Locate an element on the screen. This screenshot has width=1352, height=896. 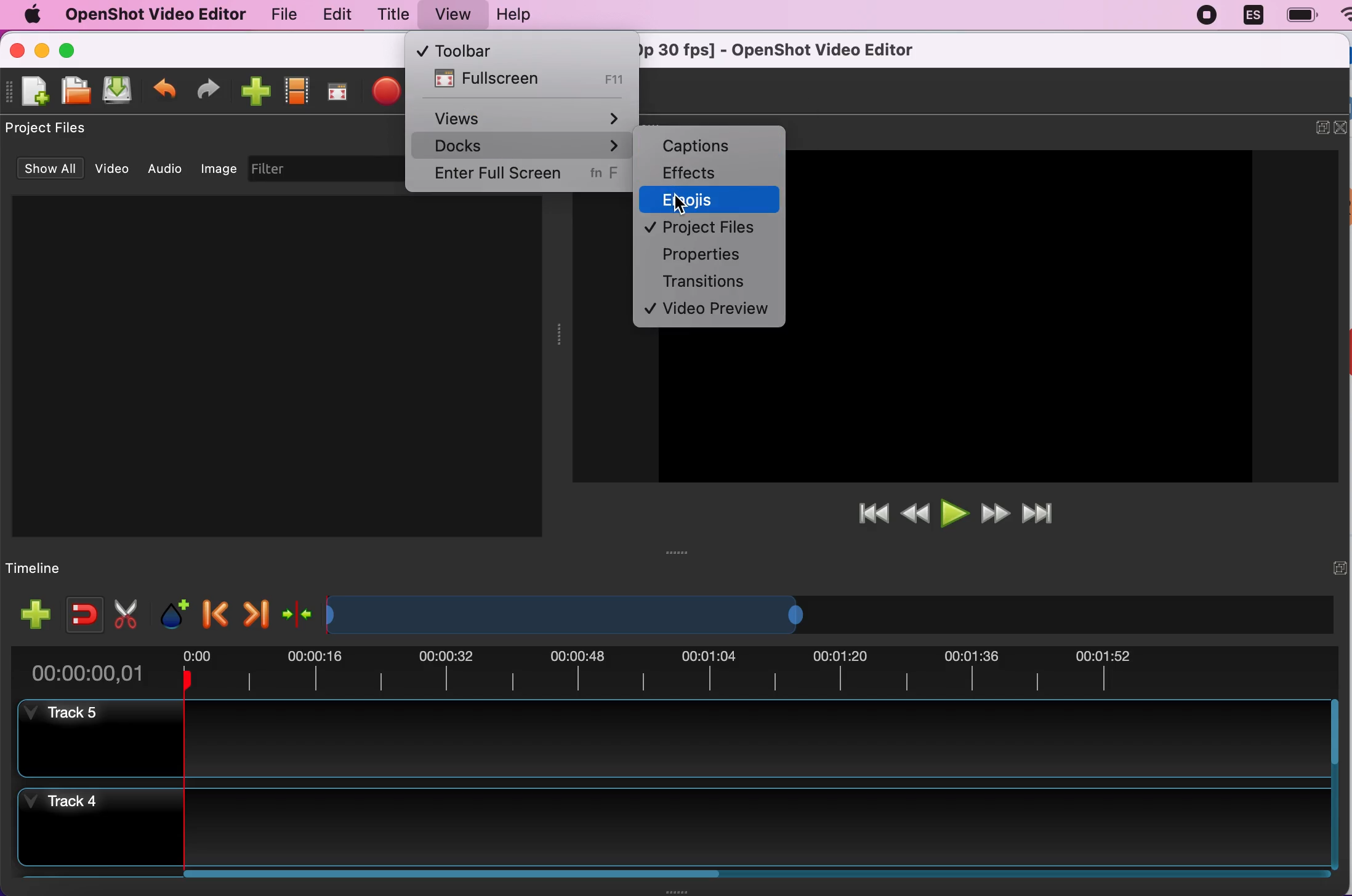
toolbar is located at coordinates (496, 49).